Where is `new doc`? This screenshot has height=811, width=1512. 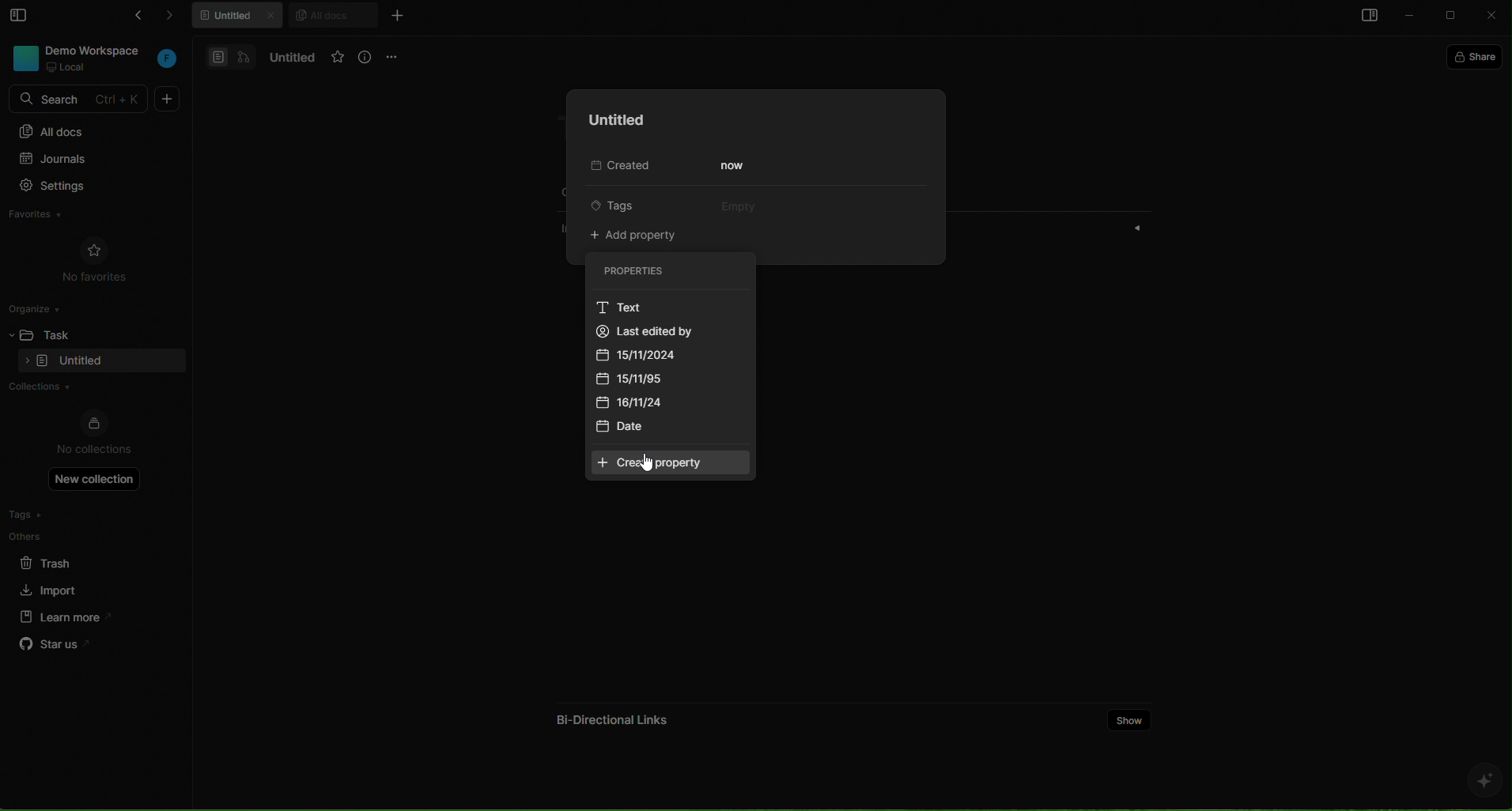 new doc is located at coordinates (168, 99).